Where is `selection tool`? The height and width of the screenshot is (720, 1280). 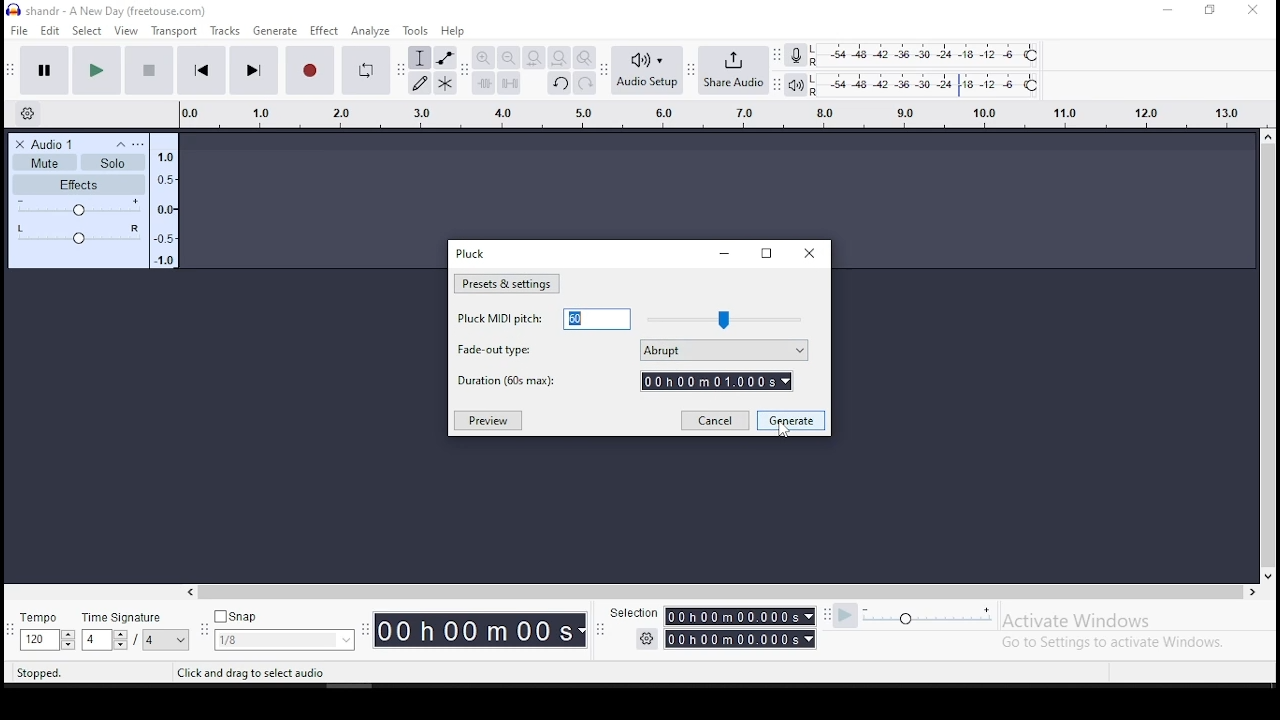 selection tool is located at coordinates (419, 57).